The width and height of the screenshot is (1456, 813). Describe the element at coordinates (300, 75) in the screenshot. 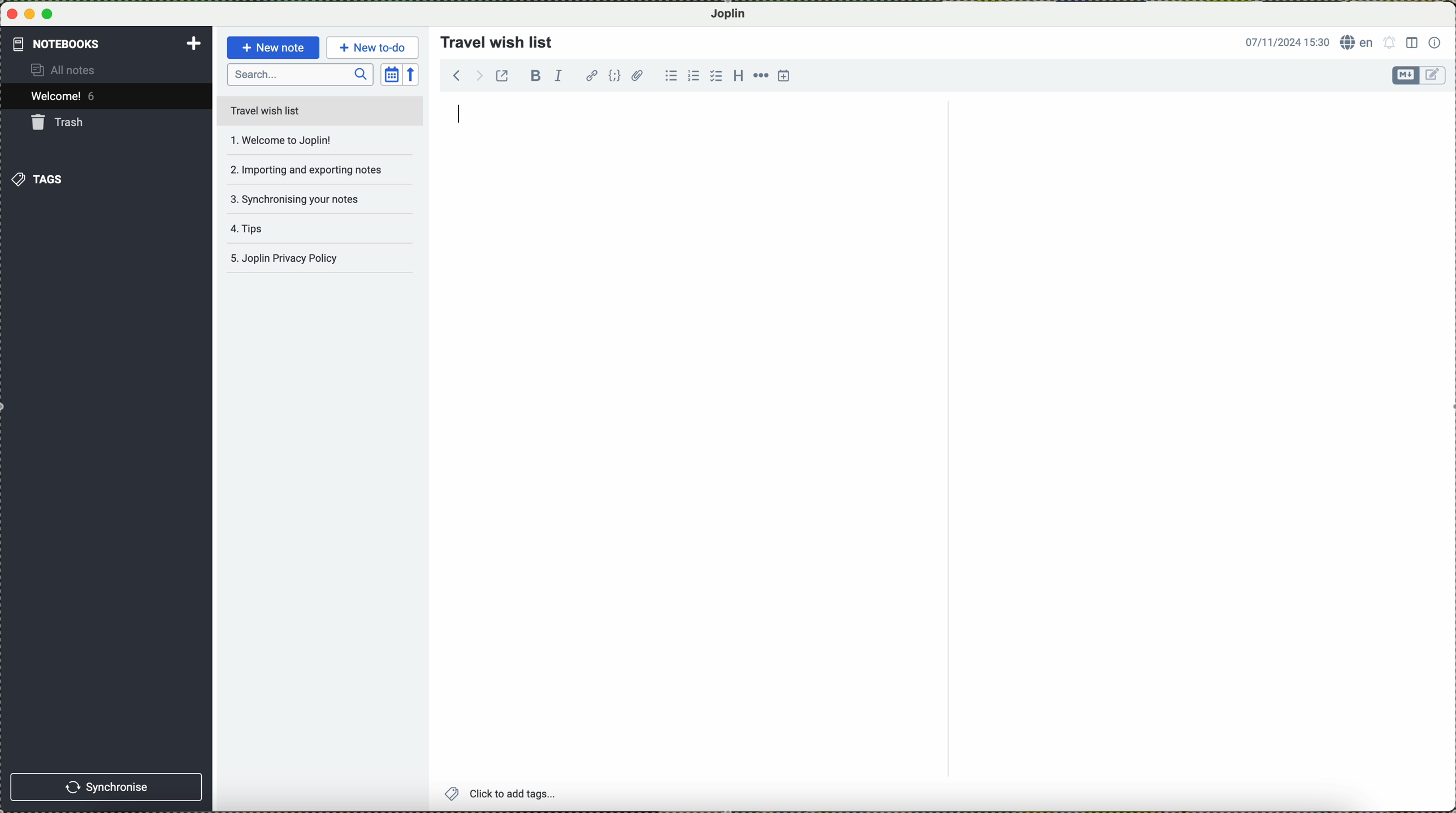

I see `search bar` at that location.